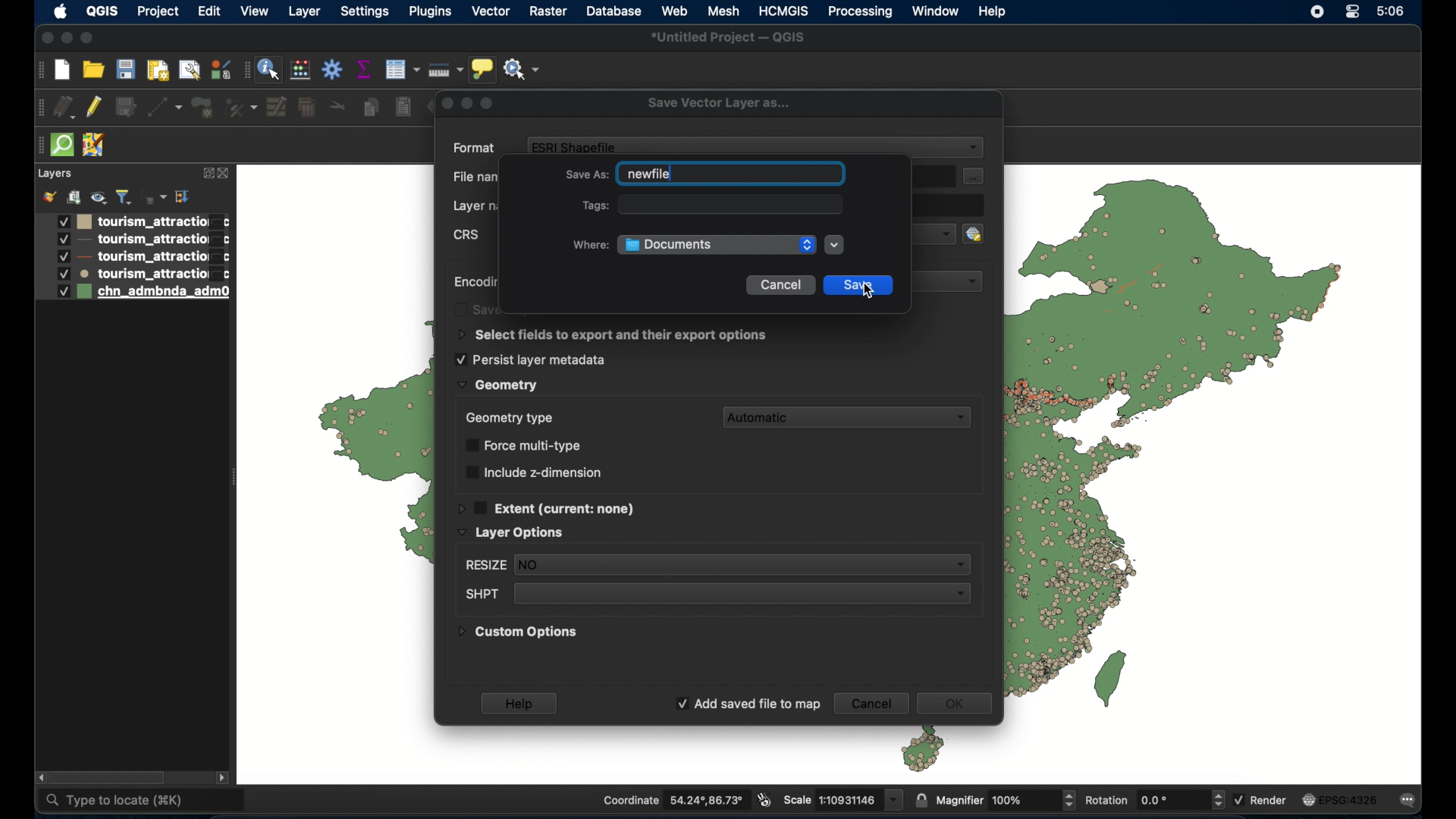 This screenshot has height=819, width=1456. Describe the element at coordinates (959, 705) in the screenshot. I see `ok` at that location.